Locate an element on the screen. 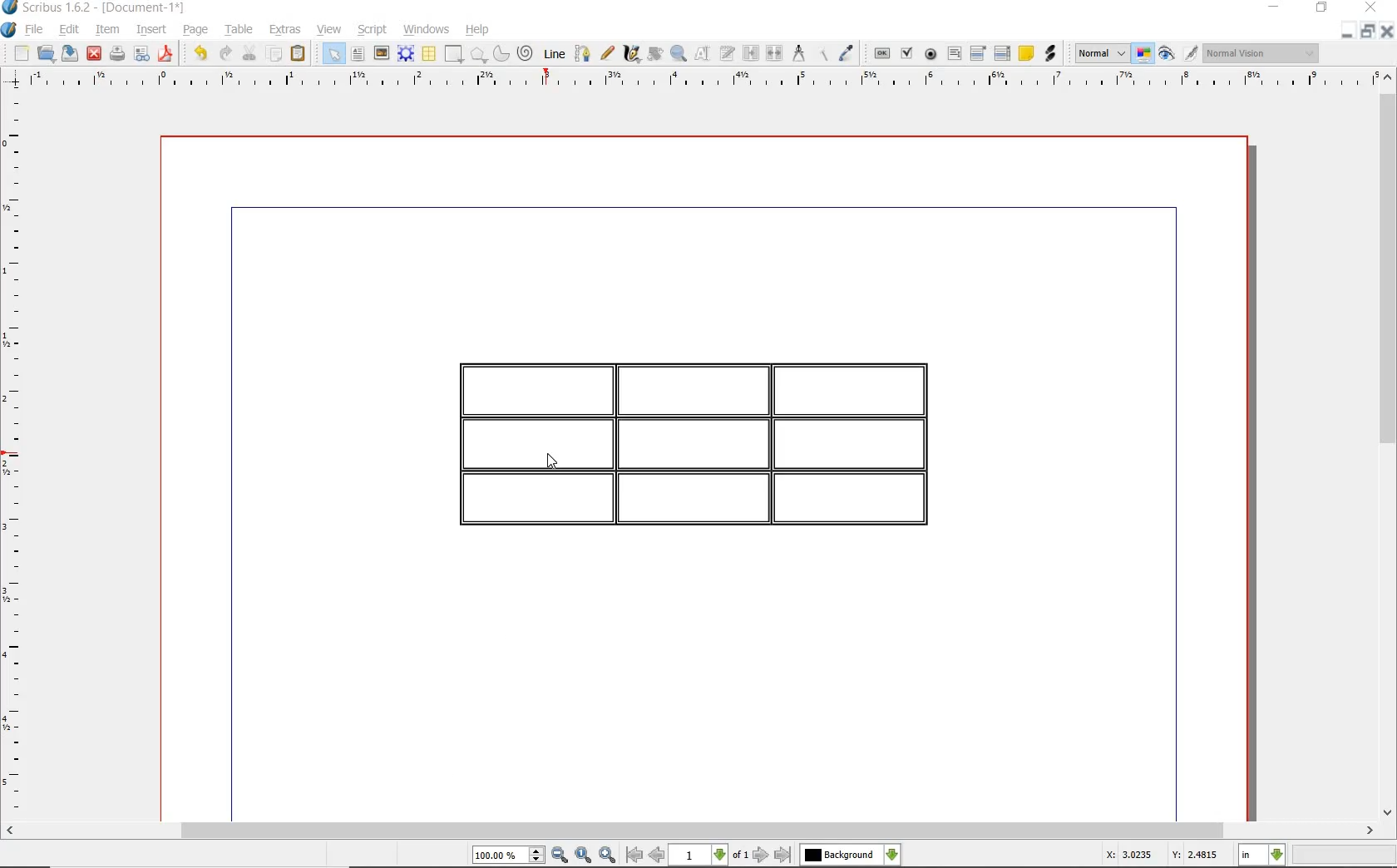 The height and width of the screenshot is (868, 1397). select the current layer is located at coordinates (852, 853).